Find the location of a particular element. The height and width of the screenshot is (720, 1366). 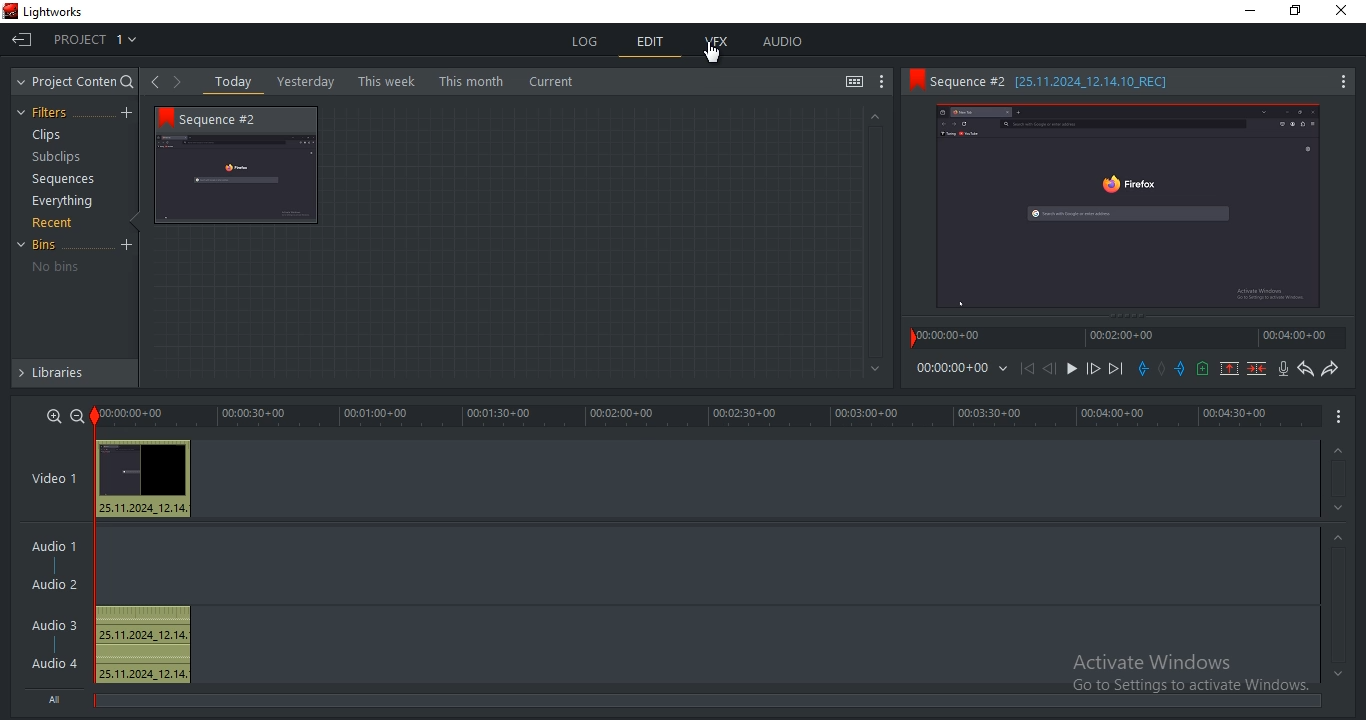

selection cursor is located at coordinates (712, 54).